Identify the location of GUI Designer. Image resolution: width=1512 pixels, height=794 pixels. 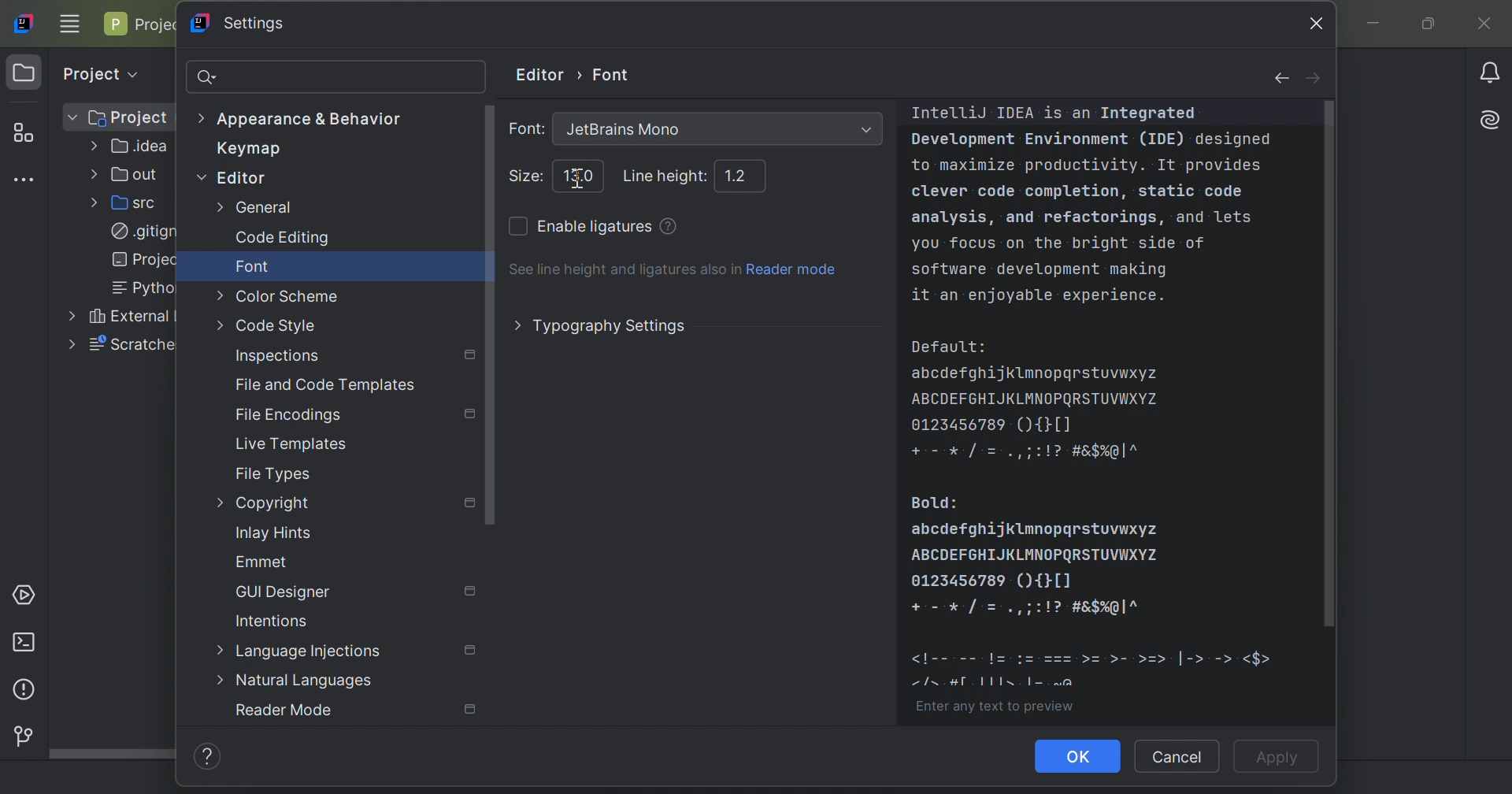
(284, 592).